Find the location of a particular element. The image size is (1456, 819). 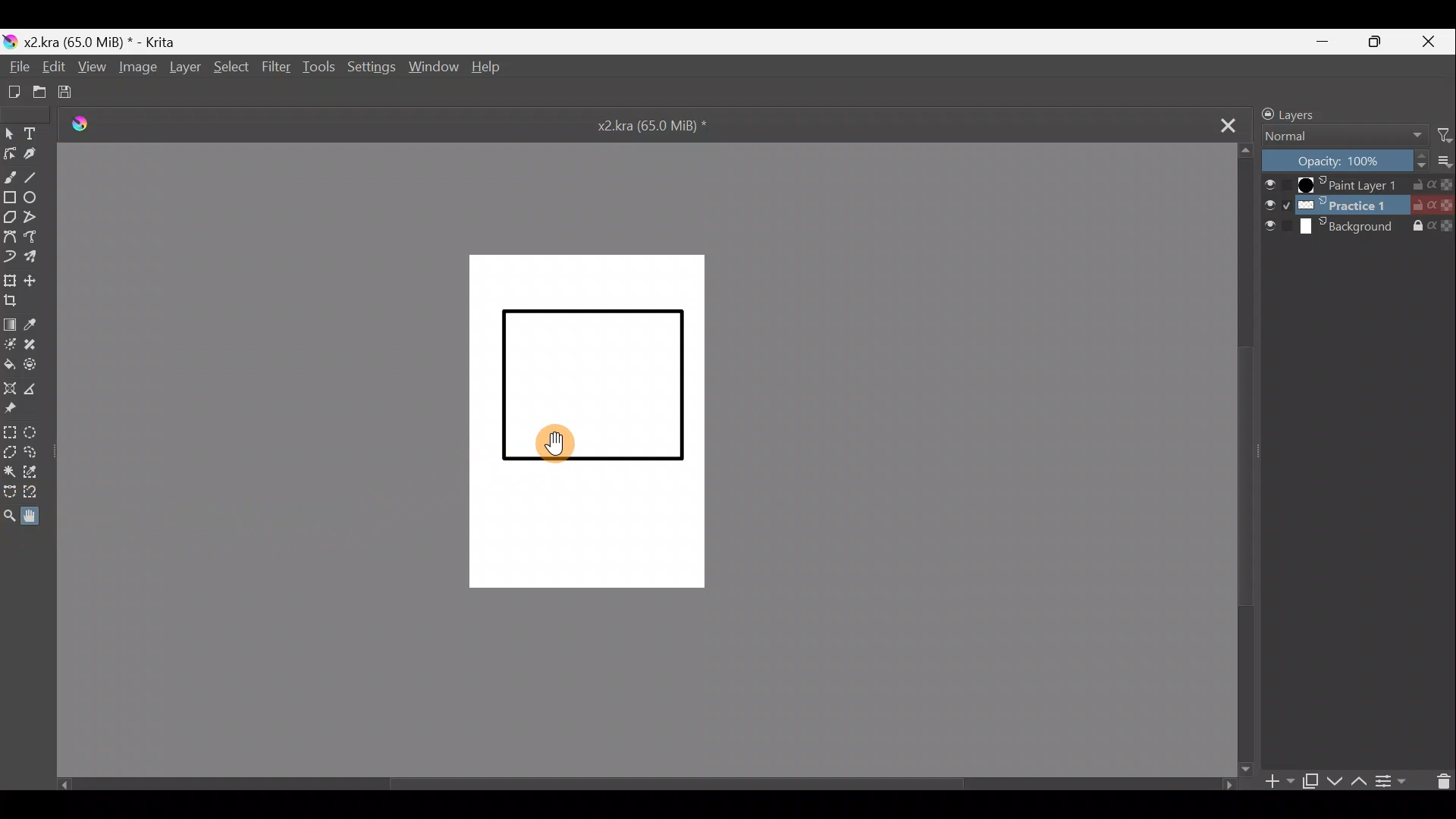

Bezier curve tool is located at coordinates (9, 235).